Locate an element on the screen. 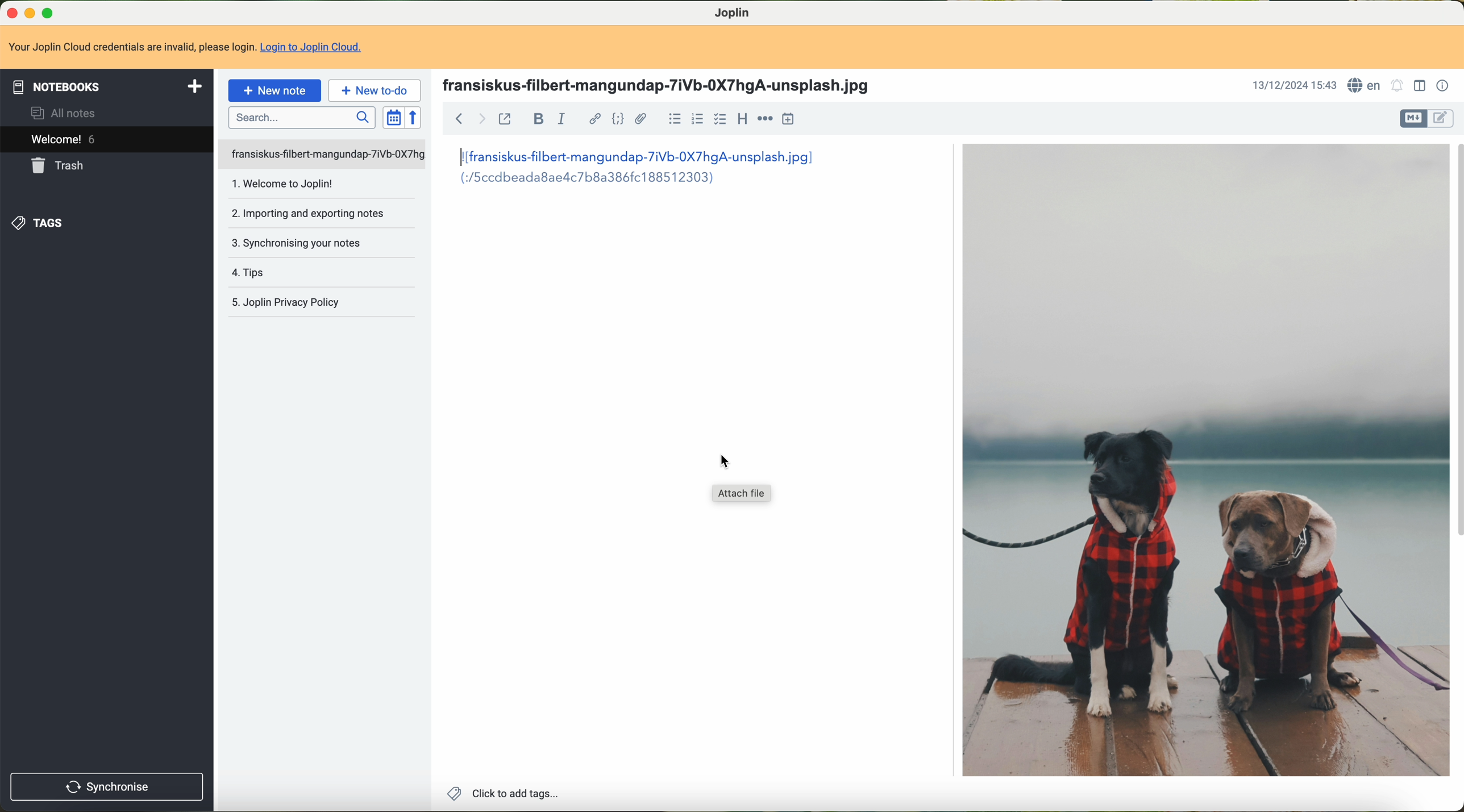 This screenshot has height=812, width=1464. close Calibre is located at coordinates (11, 12).